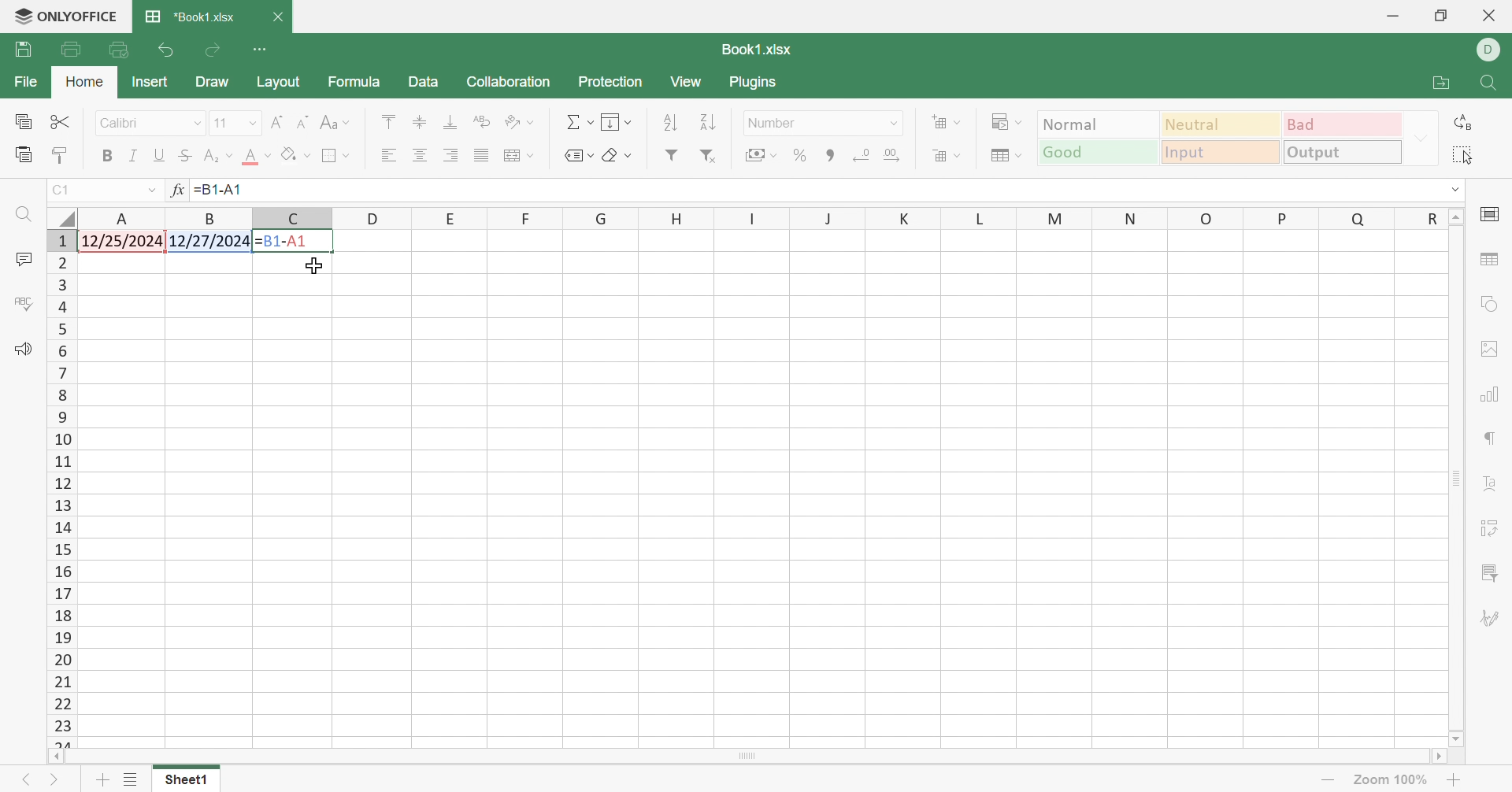 The height and width of the screenshot is (792, 1512). Describe the element at coordinates (521, 120) in the screenshot. I see `Orientation` at that location.